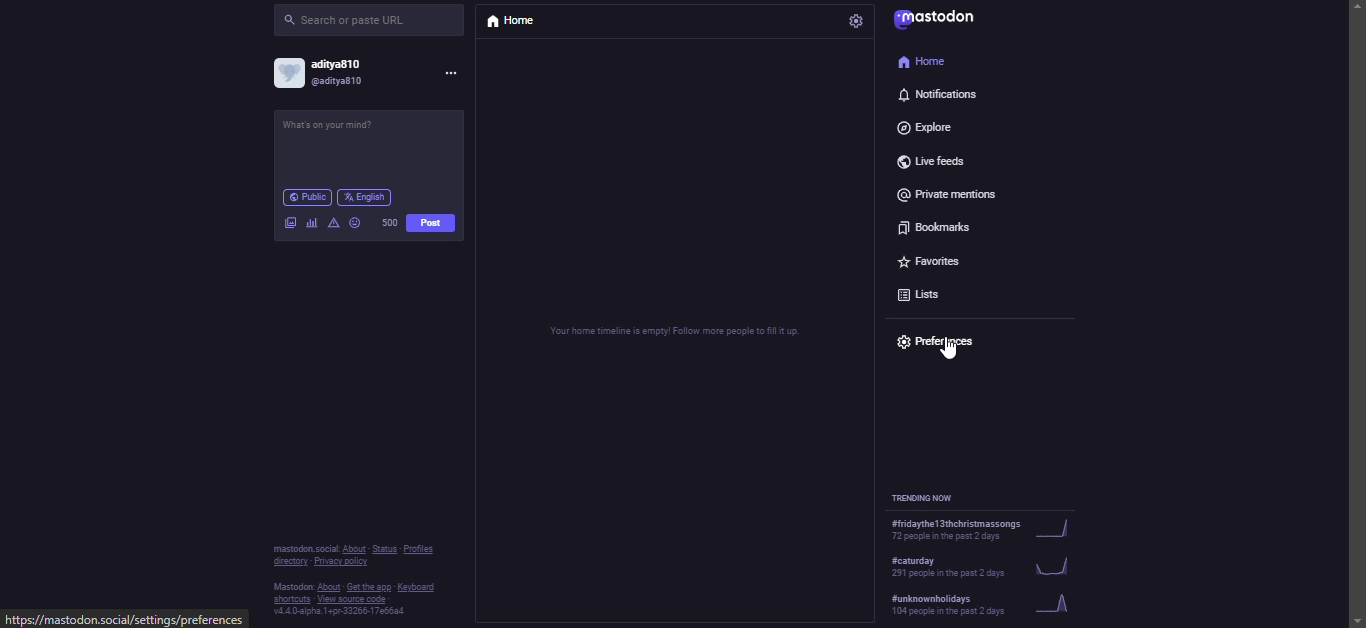 The image size is (1366, 628). I want to click on explore, so click(938, 128).